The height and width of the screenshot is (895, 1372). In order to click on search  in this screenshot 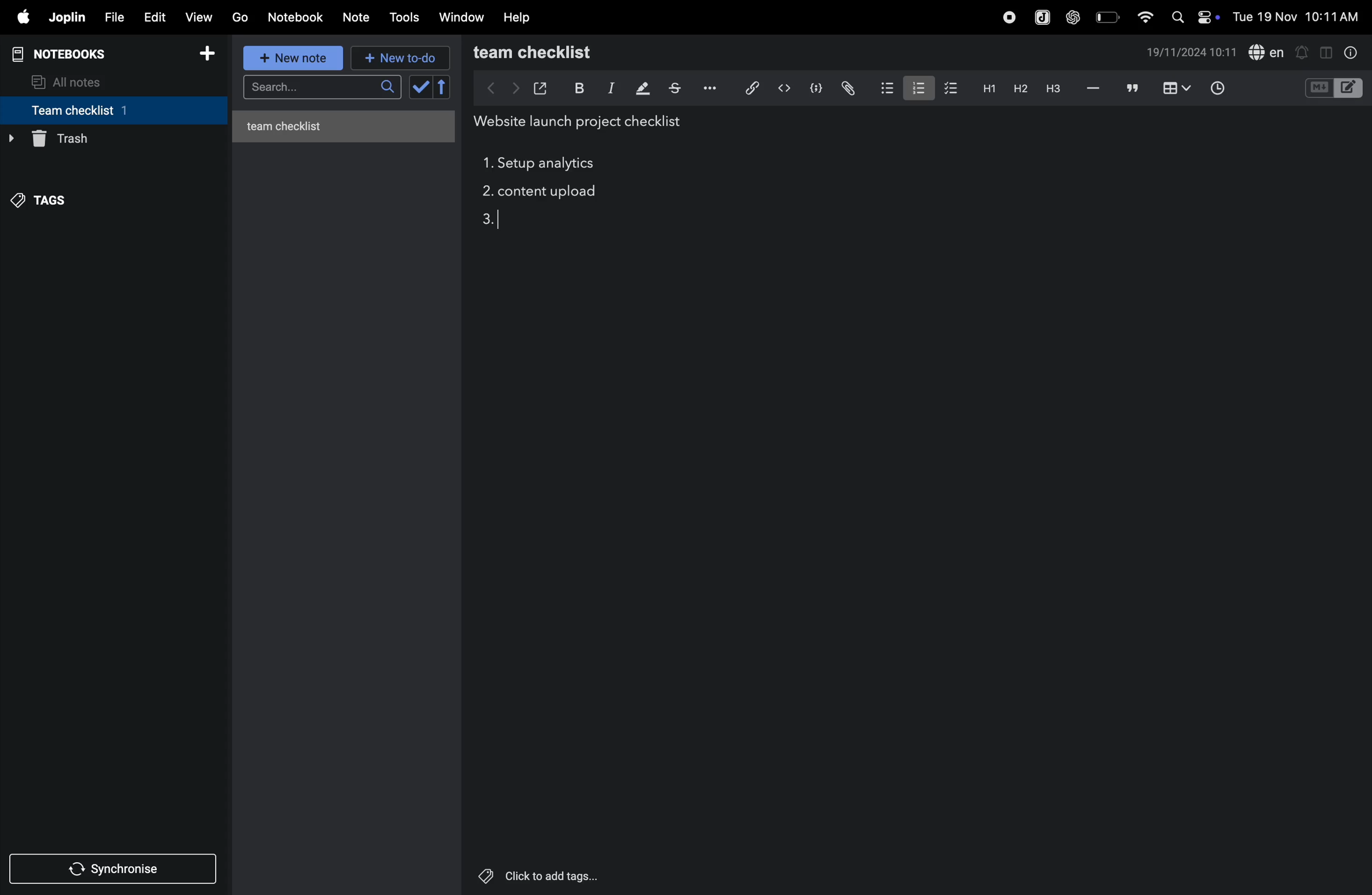, I will do `click(320, 89)`.